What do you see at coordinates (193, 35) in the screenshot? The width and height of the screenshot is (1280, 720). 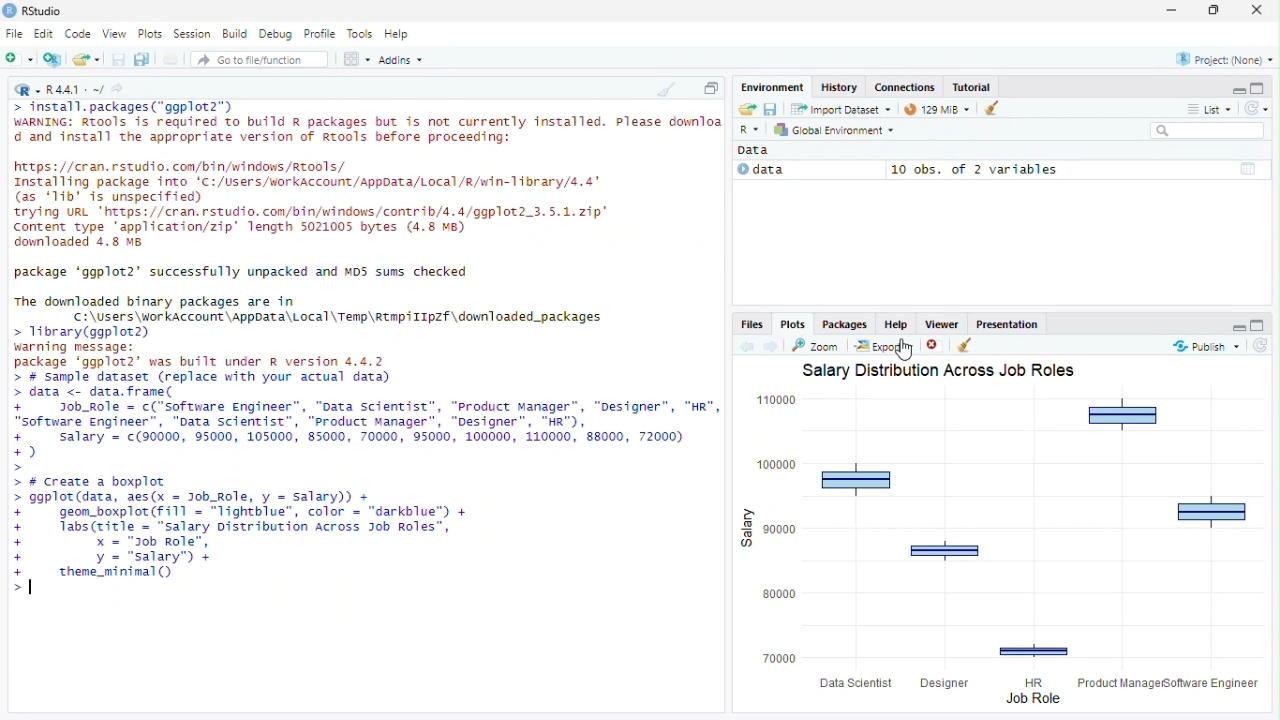 I see `Session` at bounding box center [193, 35].